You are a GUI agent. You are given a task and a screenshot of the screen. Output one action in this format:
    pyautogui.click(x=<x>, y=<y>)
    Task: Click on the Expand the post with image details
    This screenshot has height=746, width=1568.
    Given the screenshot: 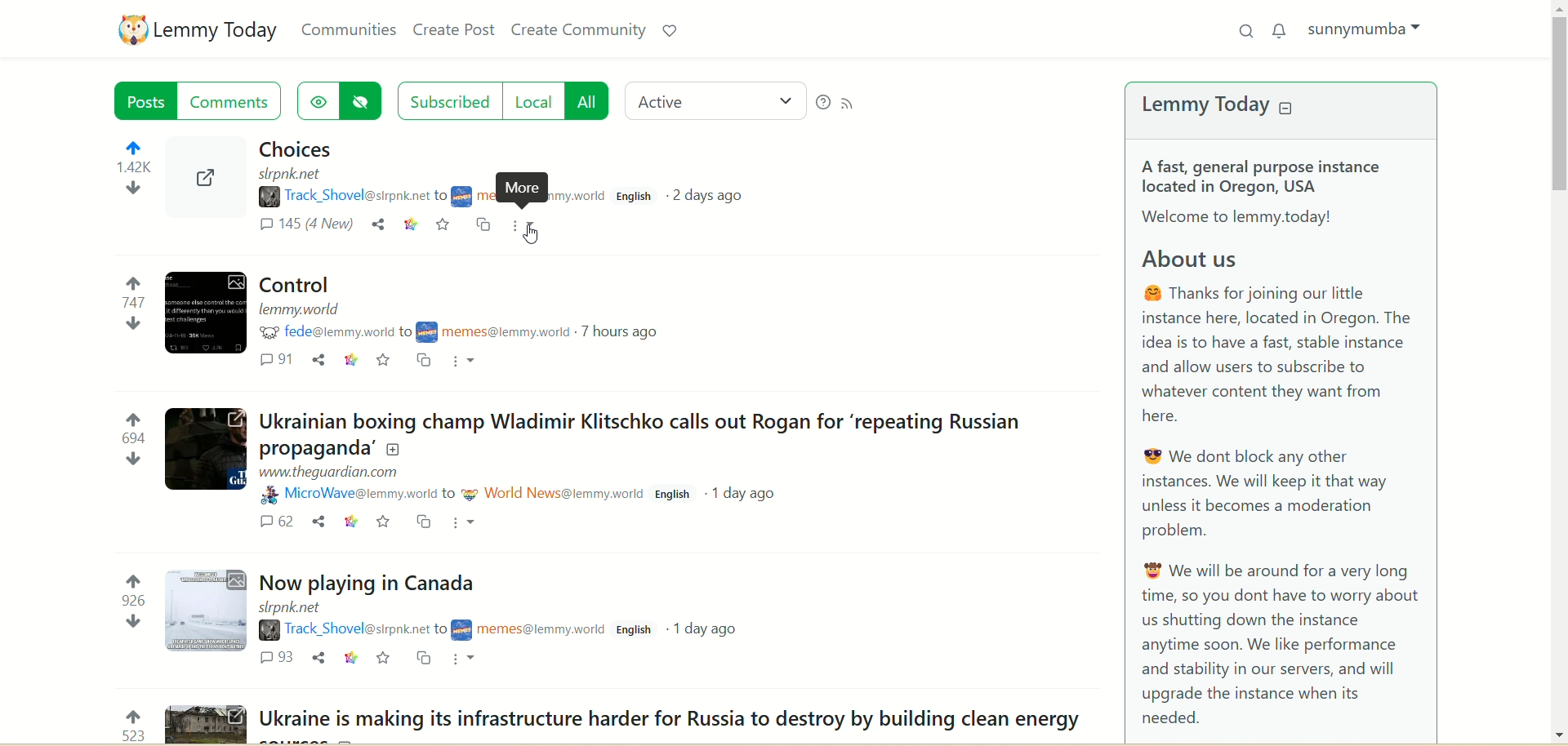 What is the action you would take?
    pyautogui.click(x=204, y=451)
    